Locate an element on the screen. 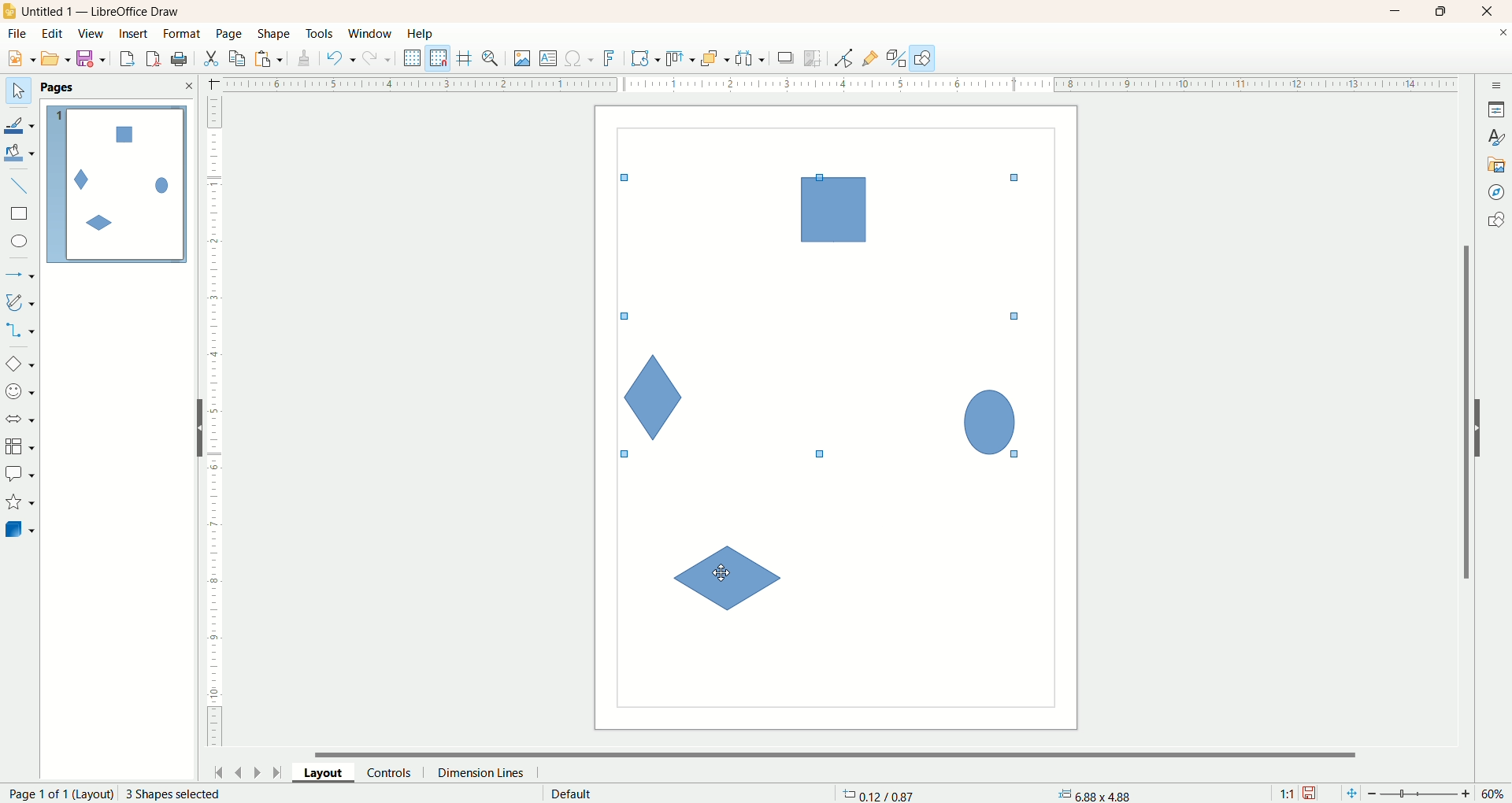 This screenshot has width=1512, height=803. snap to grid is located at coordinates (442, 58).